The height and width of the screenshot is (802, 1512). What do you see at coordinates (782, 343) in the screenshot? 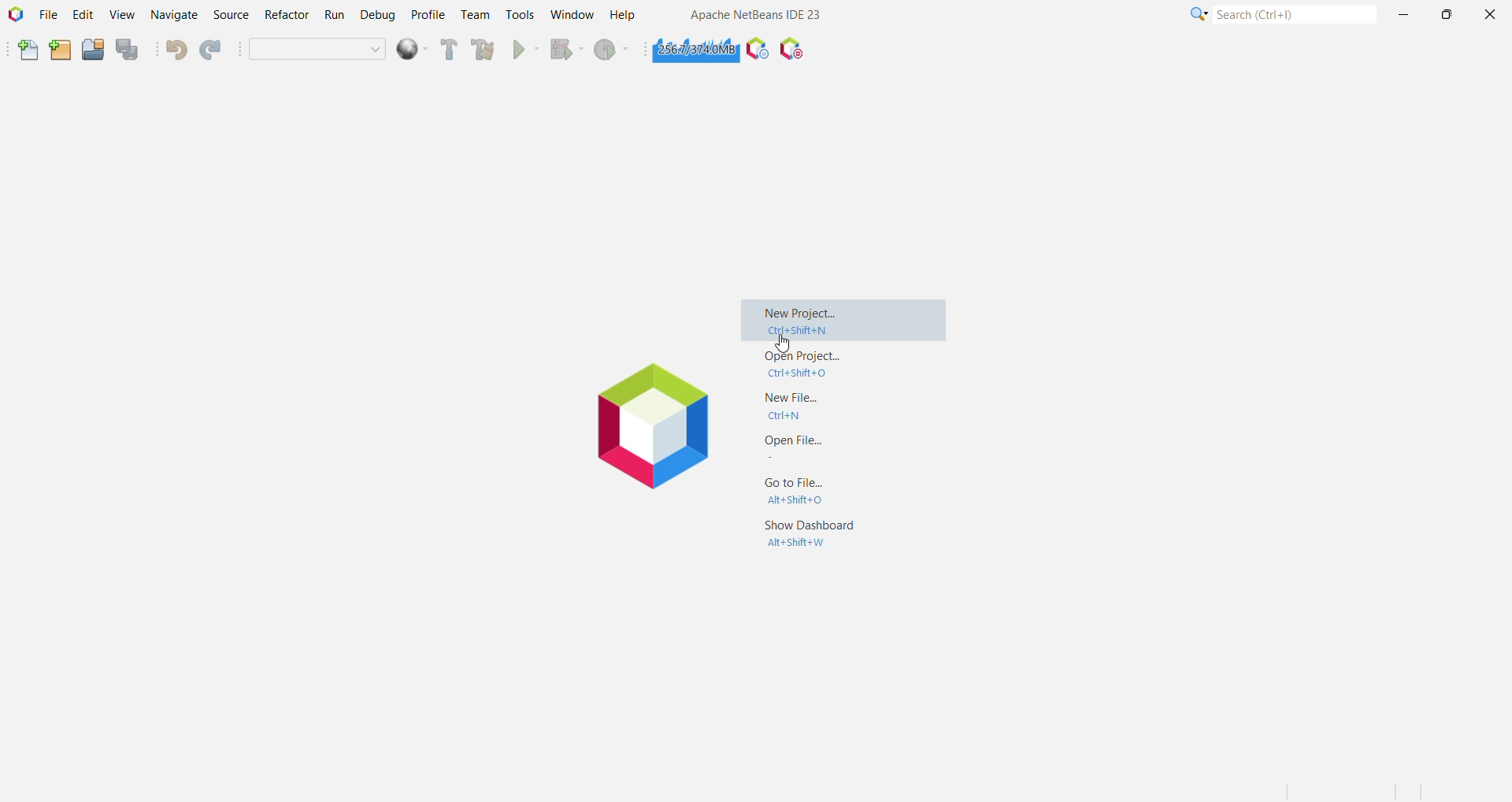
I see `cursor` at bounding box center [782, 343].